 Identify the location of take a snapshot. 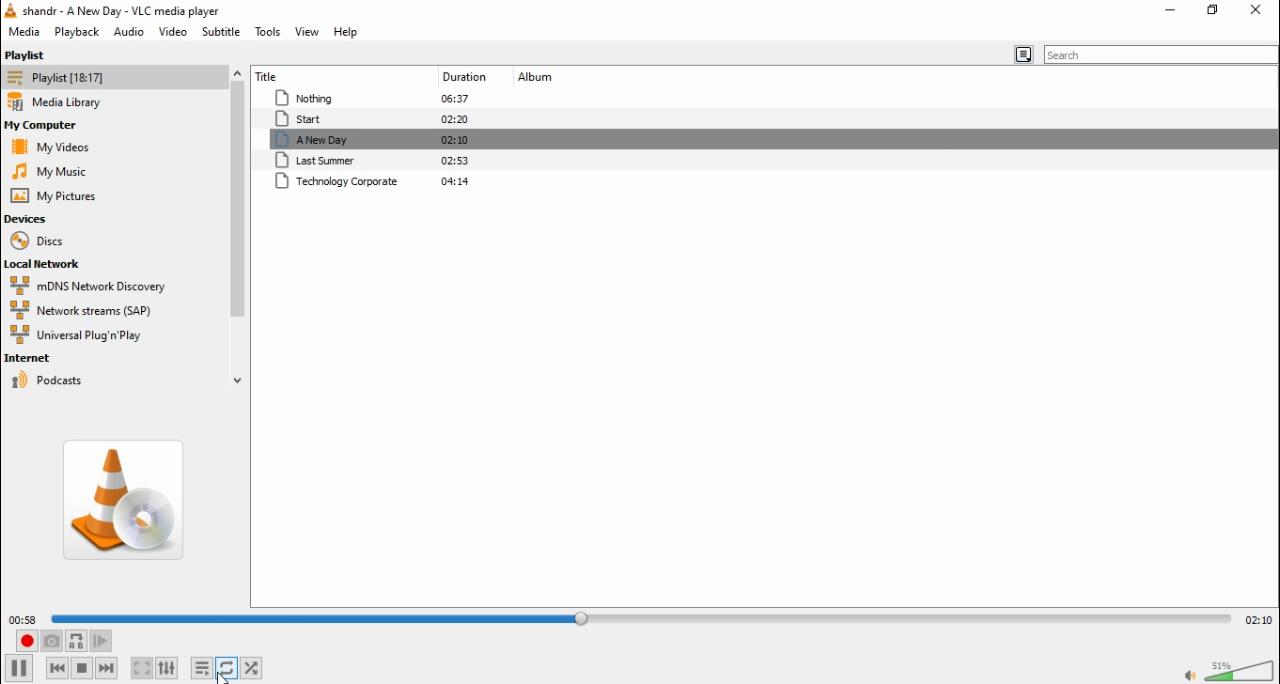
(53, 641).